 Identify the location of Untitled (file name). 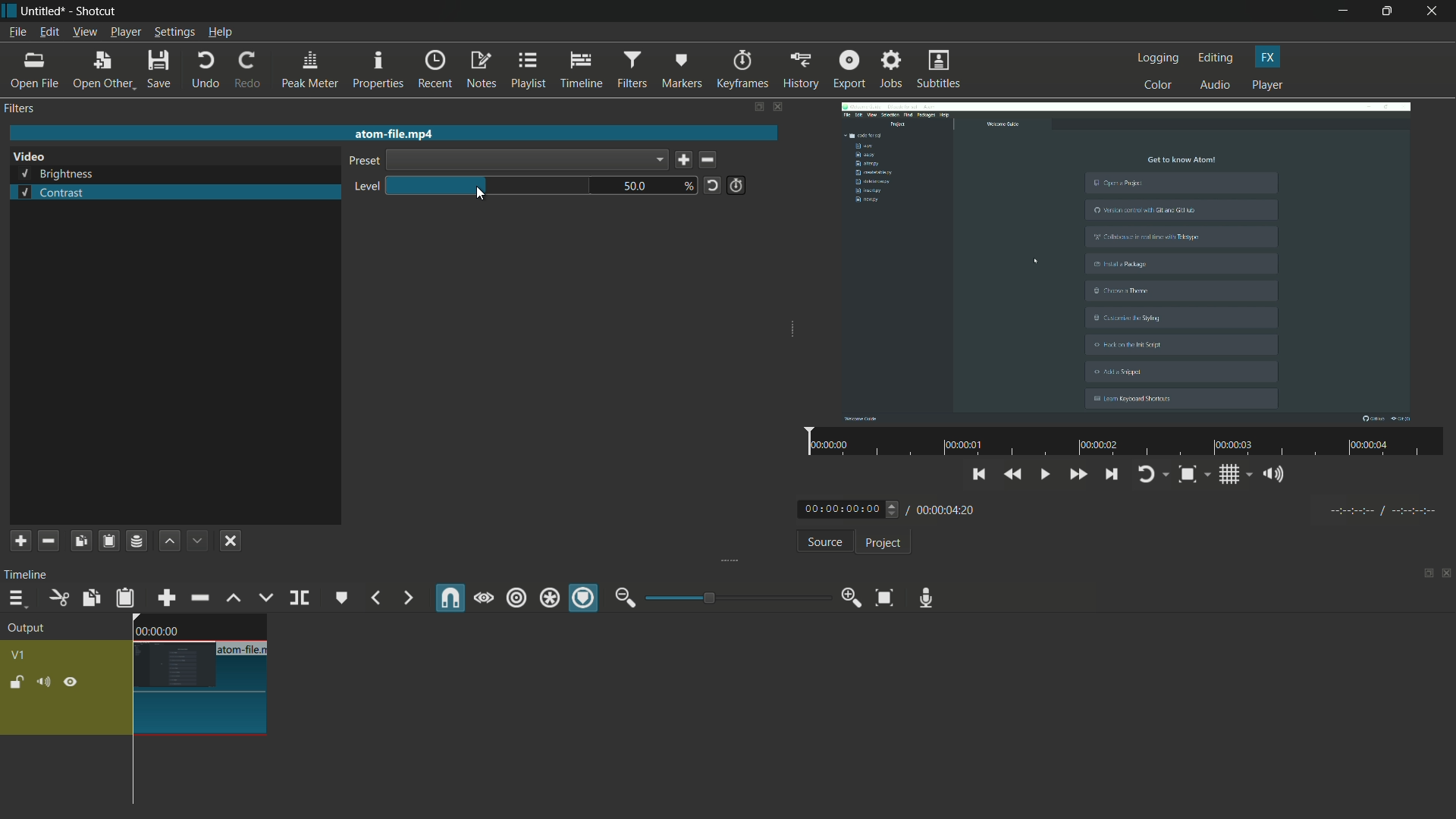
(46, 11).